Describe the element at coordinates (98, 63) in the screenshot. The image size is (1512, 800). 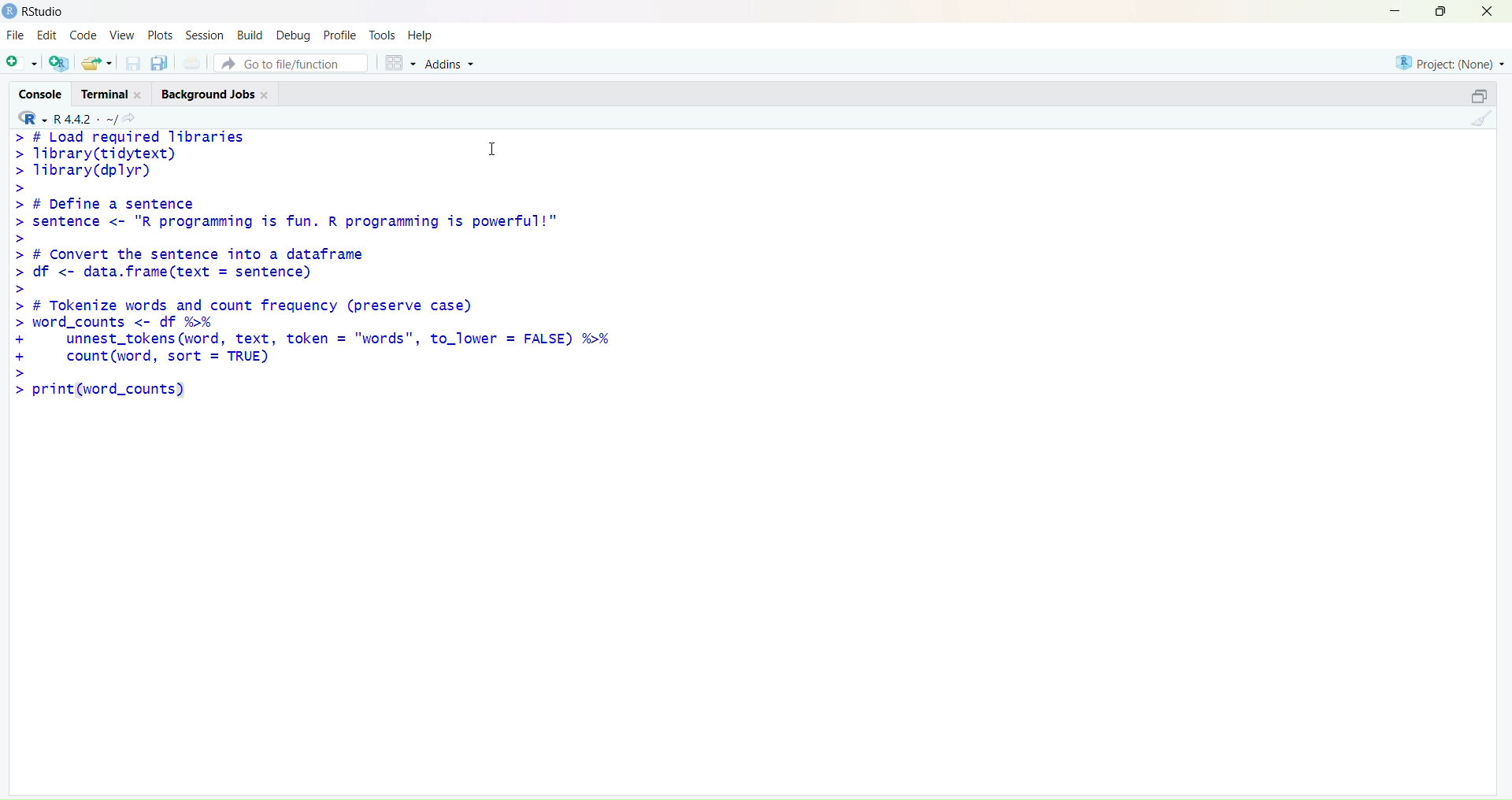
I see `open an existing file` at that location.